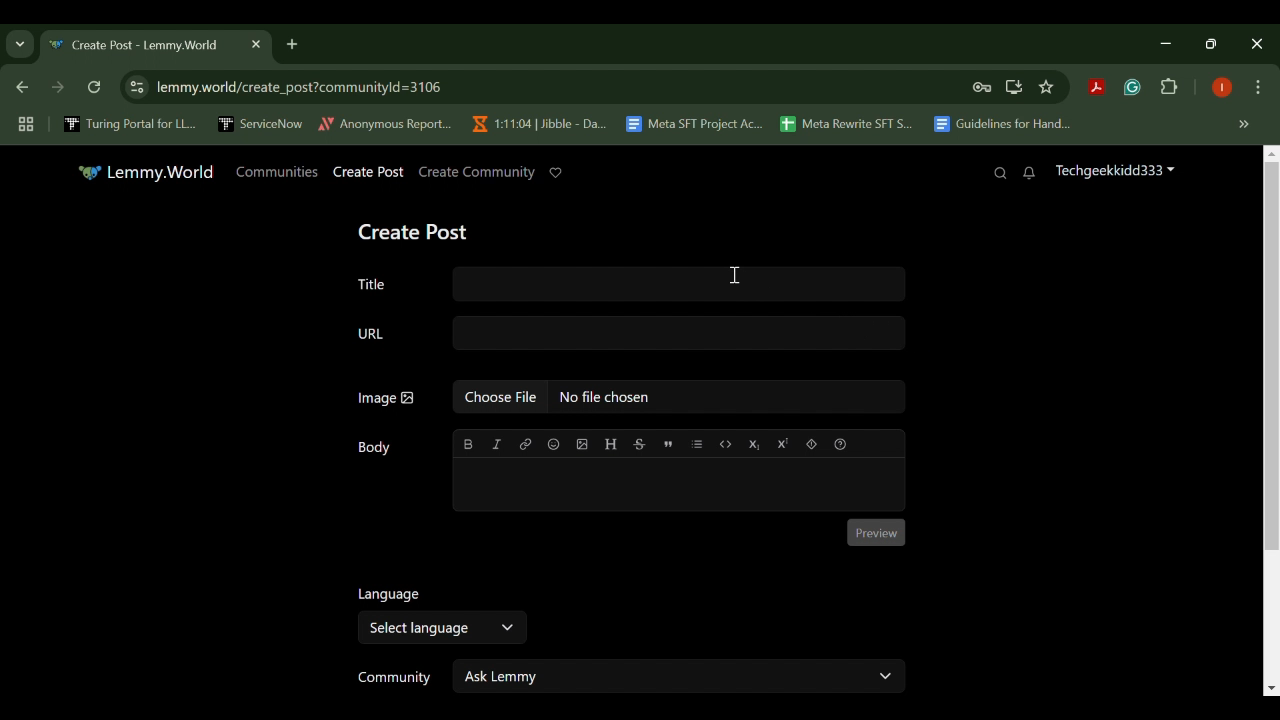 Image resolution: width=1280 pixels, height=720 pixels. I want to click on Title, so click(626, 281).